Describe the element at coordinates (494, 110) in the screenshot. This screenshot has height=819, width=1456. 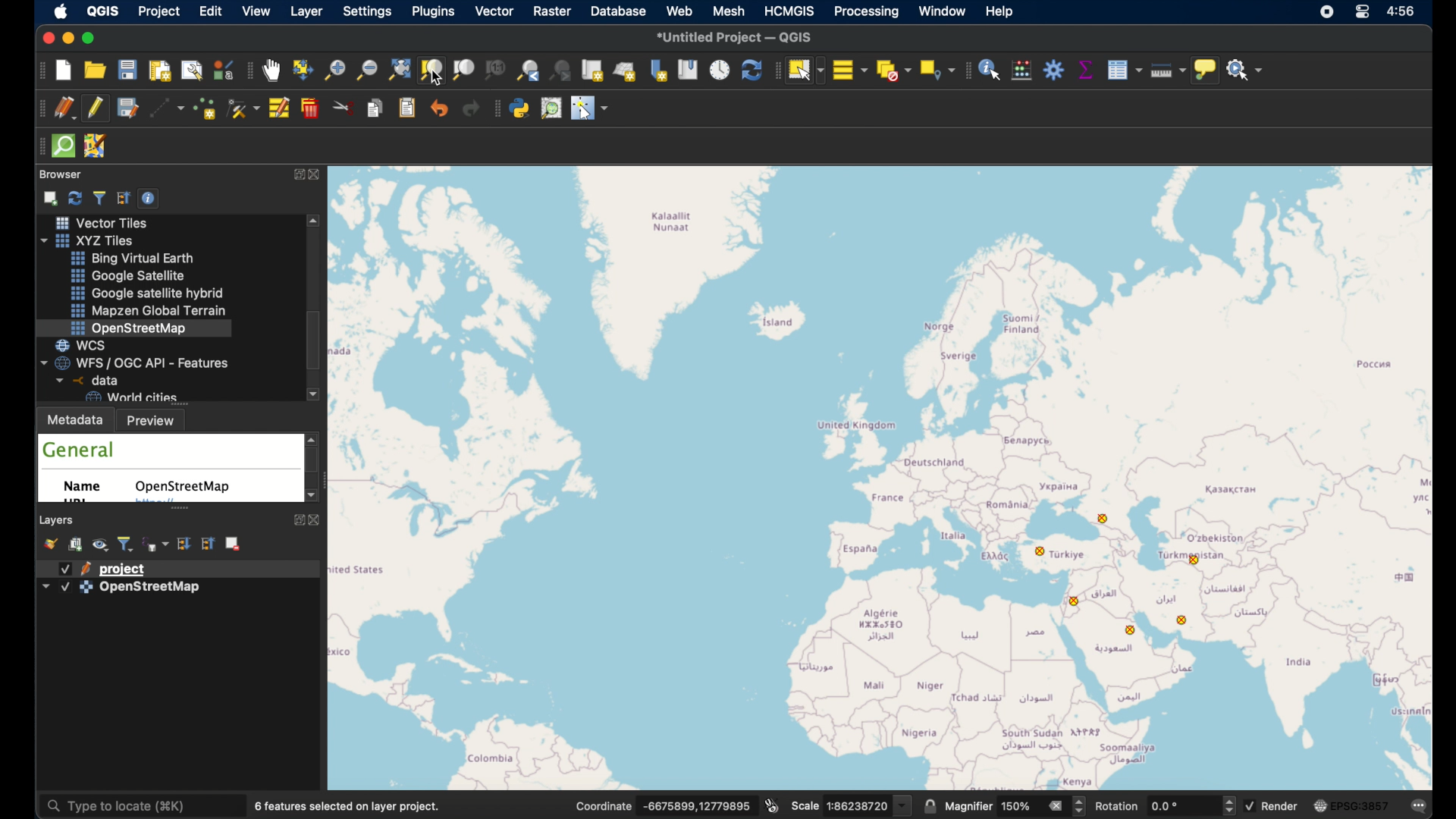
I see `plugins toolbar` at that location.